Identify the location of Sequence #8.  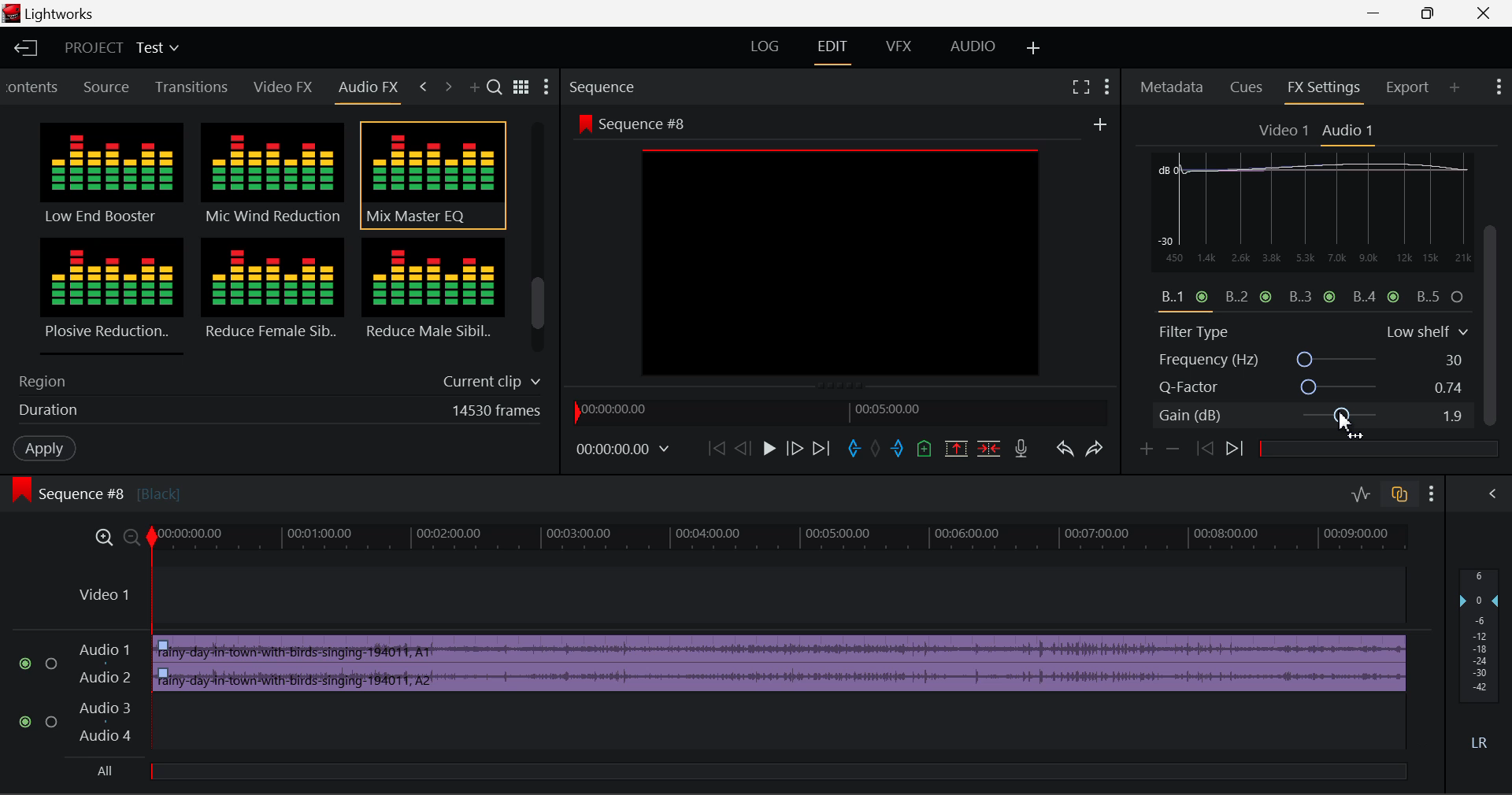
(122, 486).